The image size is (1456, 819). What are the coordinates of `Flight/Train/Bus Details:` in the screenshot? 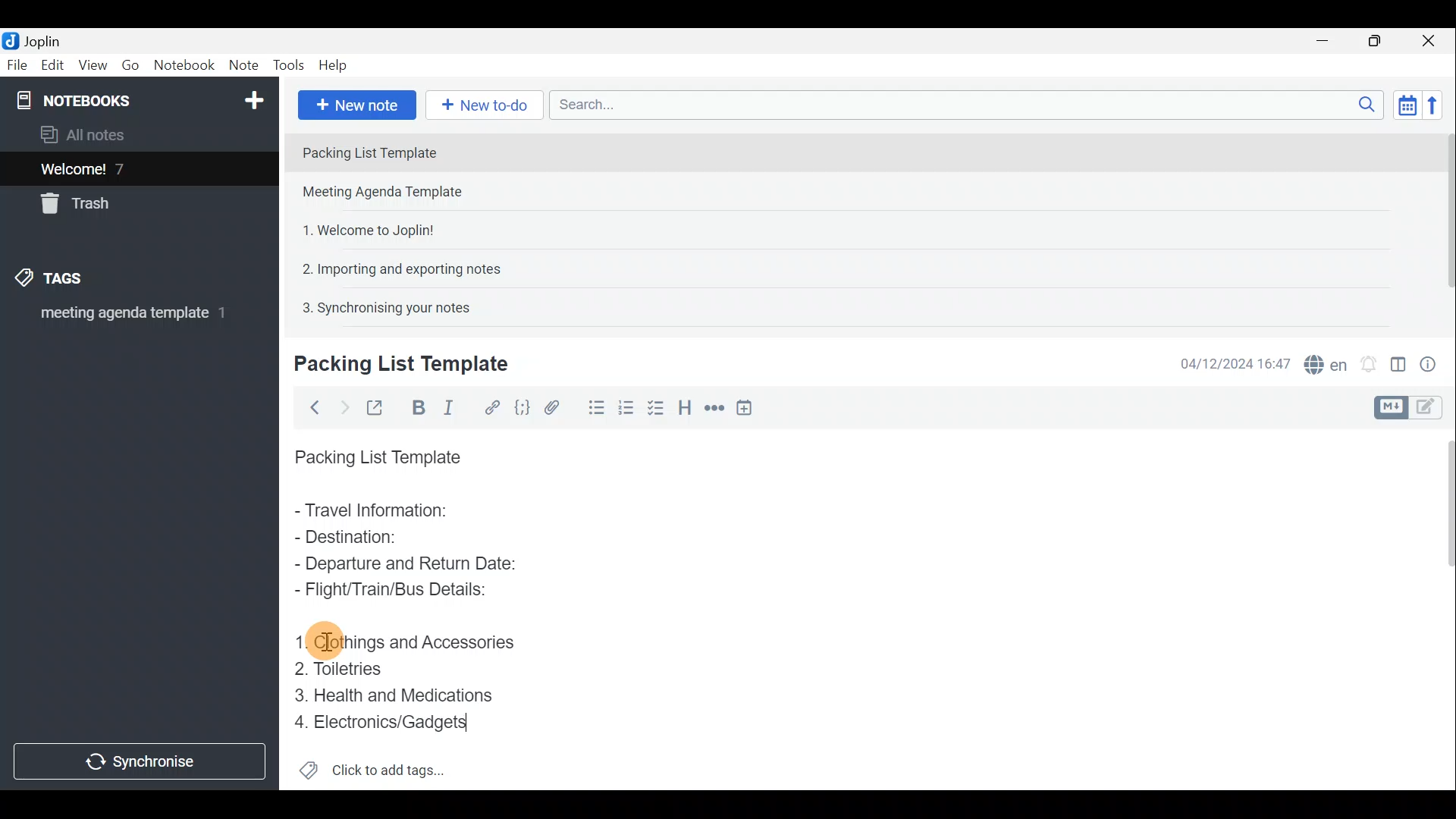 It's located at (395, 591).